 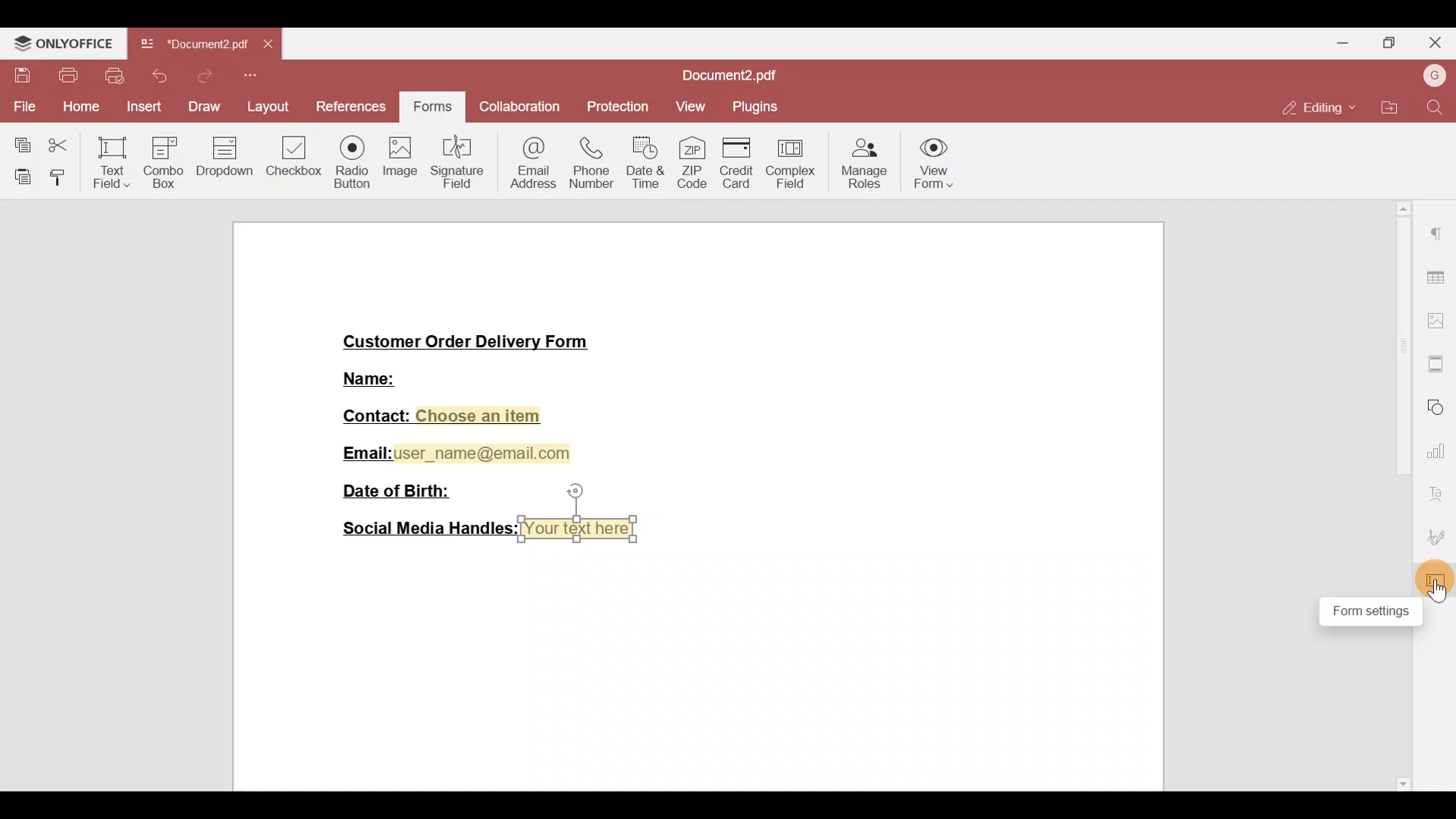 What do you see at coordinates (453, 161) in the screenshot?
I see `Signature field` at bounding box center [453, 161].